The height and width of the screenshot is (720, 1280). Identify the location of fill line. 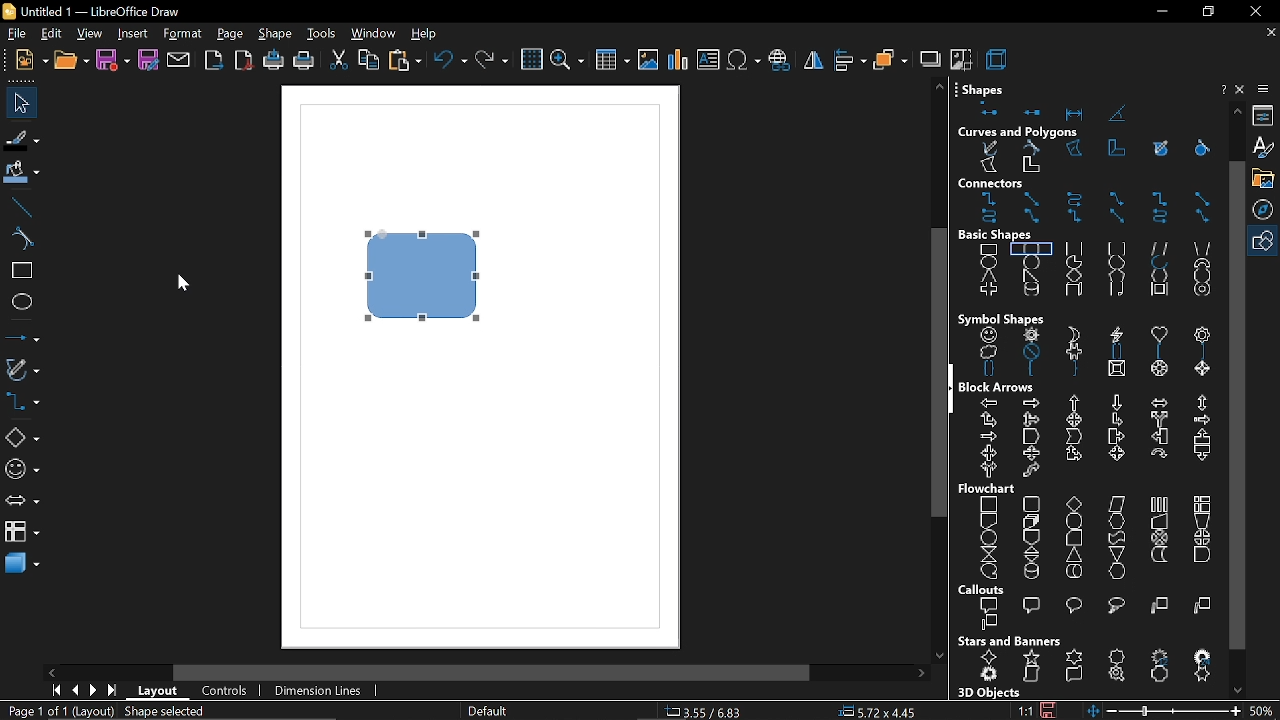
(22, 141).